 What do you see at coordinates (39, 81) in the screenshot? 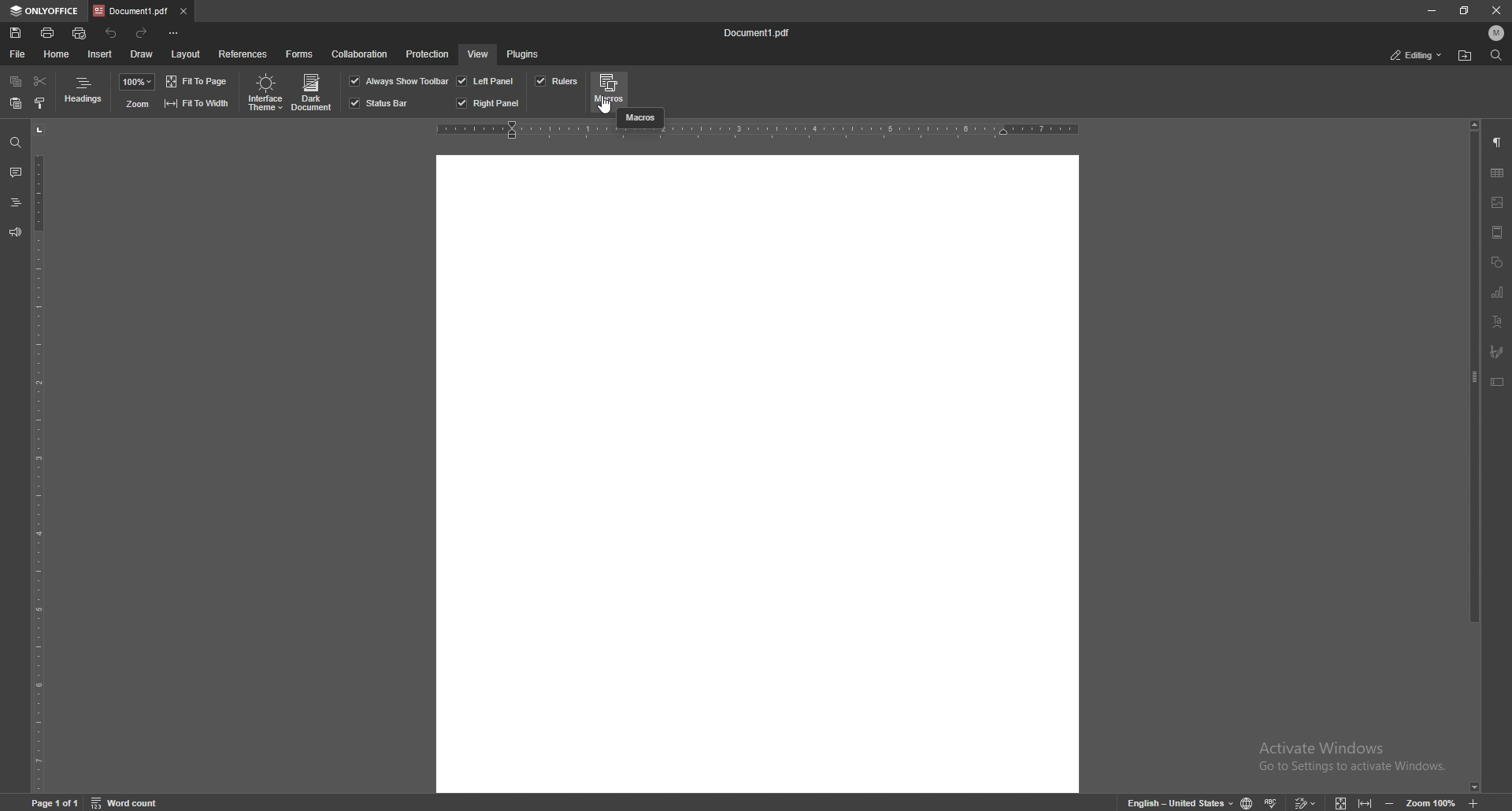
I see `cut` at bounding box center [39, 81].